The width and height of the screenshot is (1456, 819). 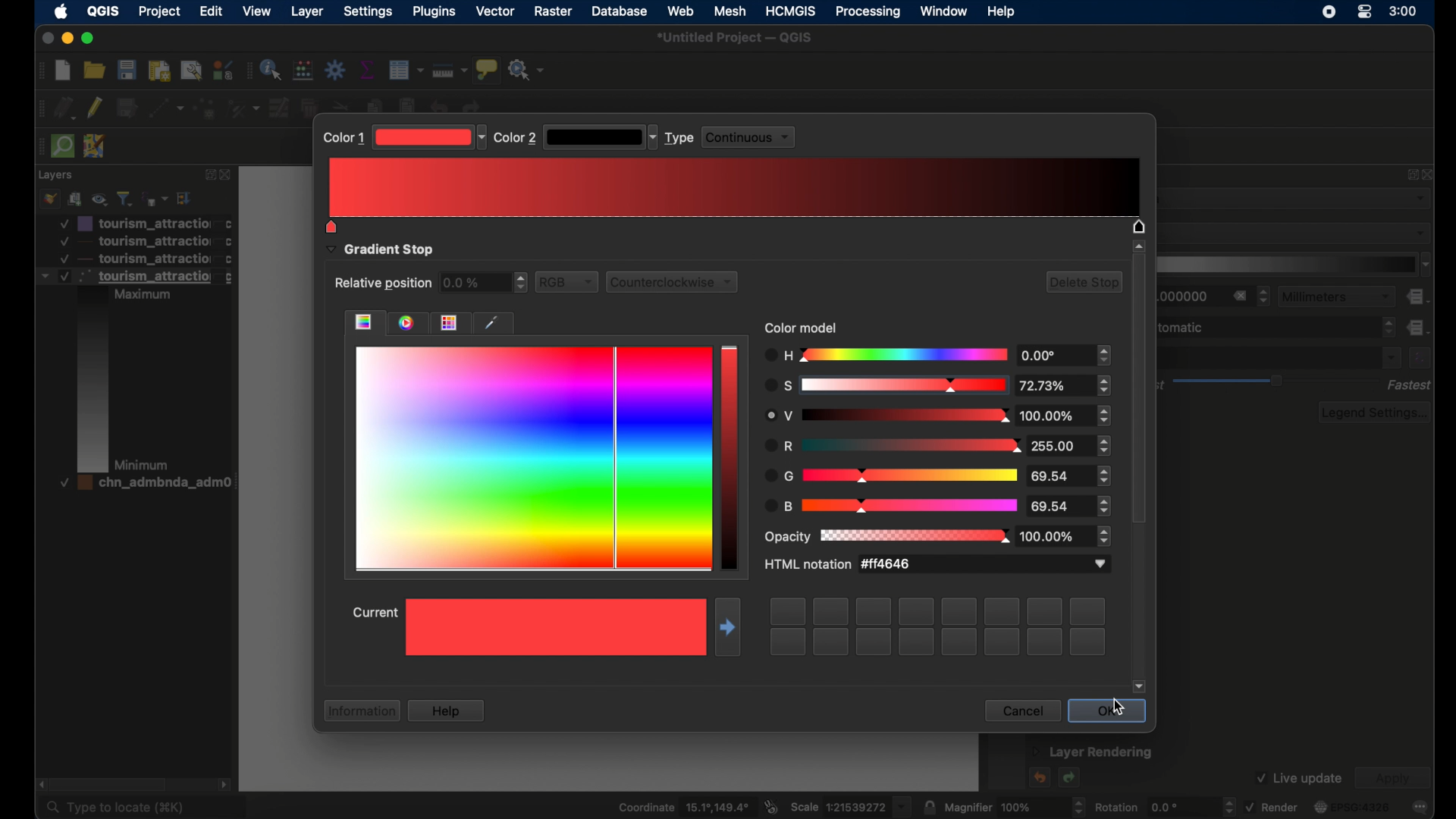 What do you see at coordinates (140, 484) in the screenshot?
I see `layer 4` at bounding box center [140, 484].